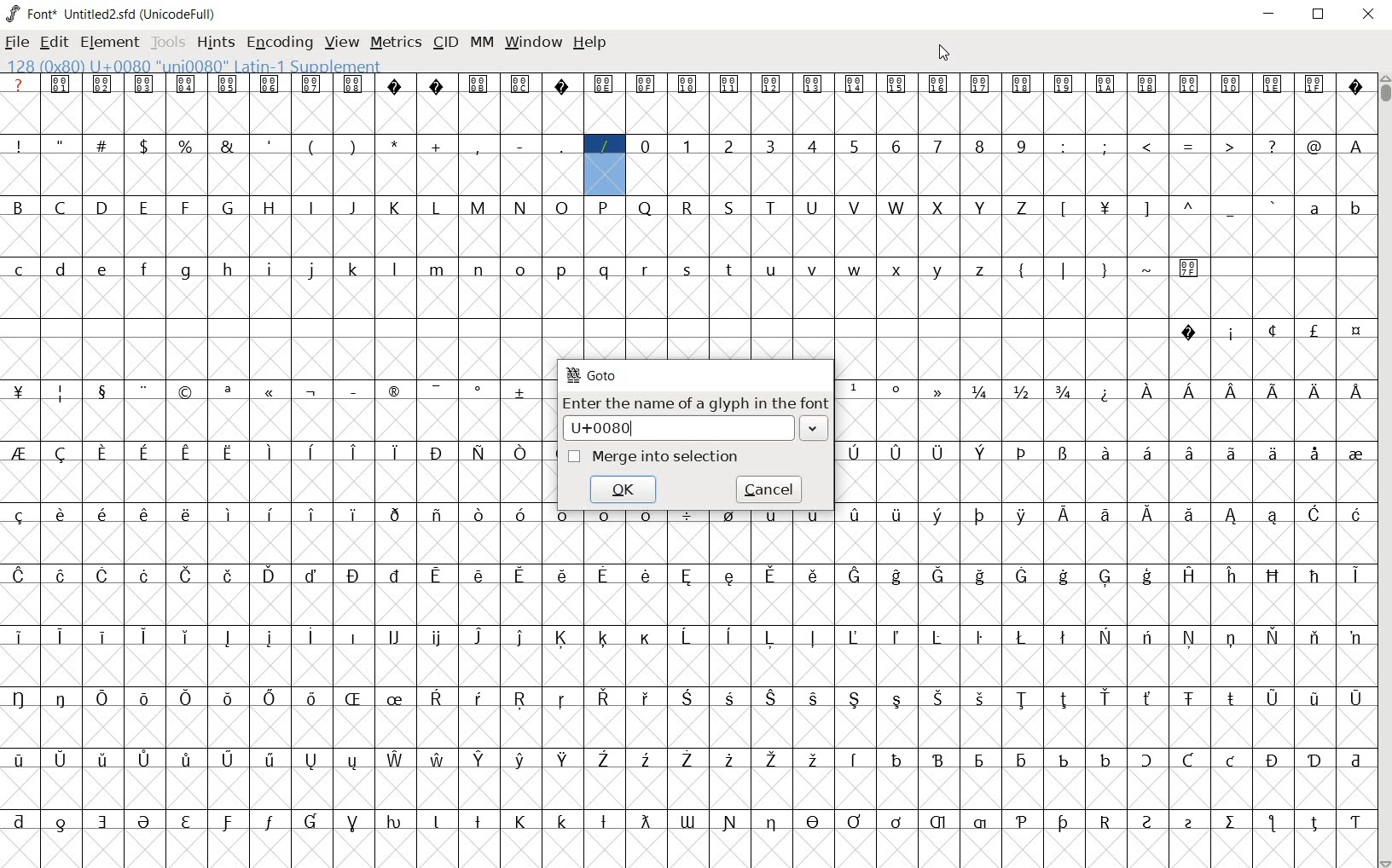 This screenshot has width=1392, height=868. What do you see at coordinates (531, 42) in the screenshot?
I see `WINDOW` at bounding box center [531, 42].